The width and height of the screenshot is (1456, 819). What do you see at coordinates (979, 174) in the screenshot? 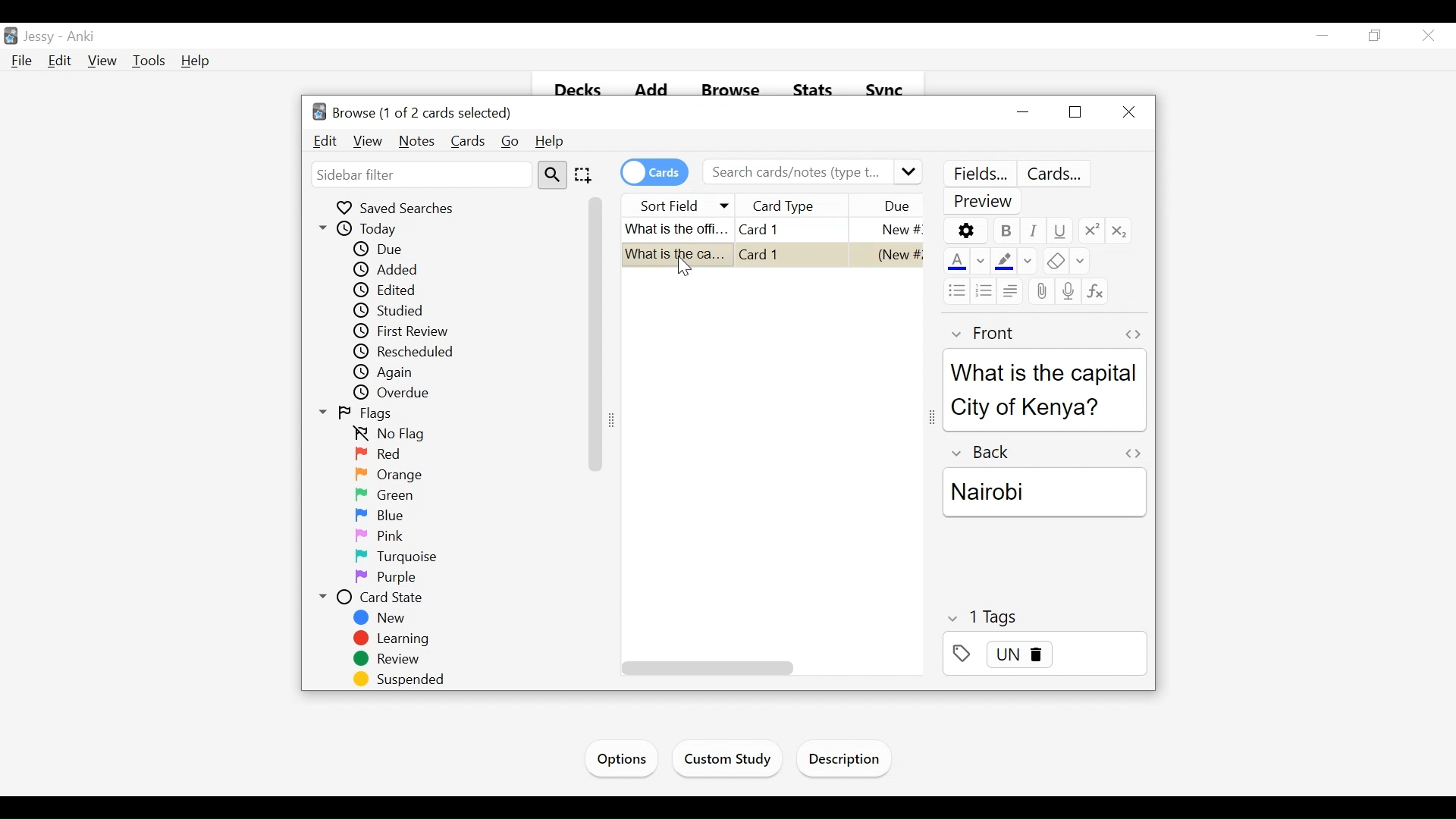
I see `Customize Fiel` at bounding box center [979, 174].